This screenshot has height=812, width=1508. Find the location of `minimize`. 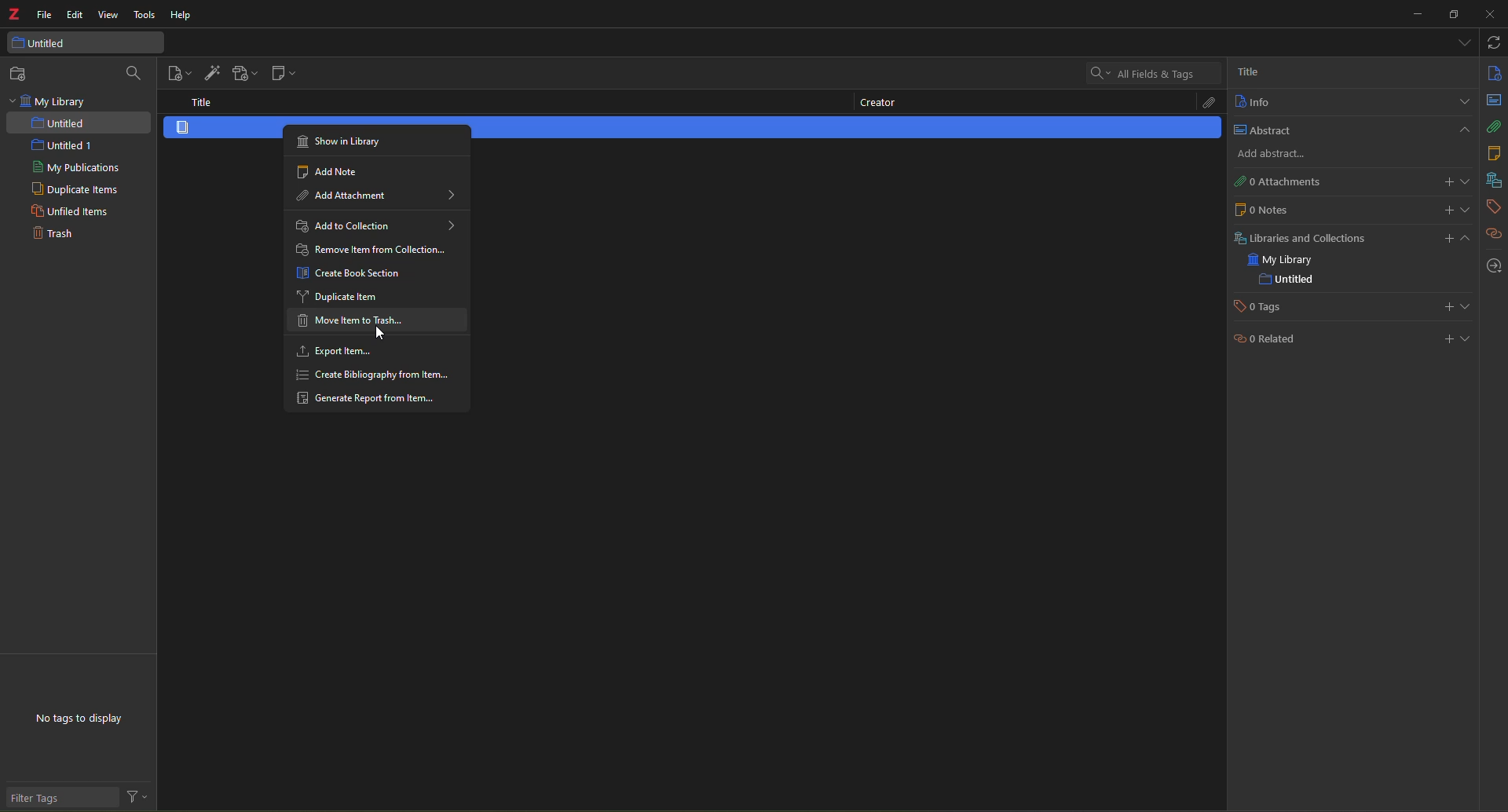

minimize is located at coordinates (1414, 14).